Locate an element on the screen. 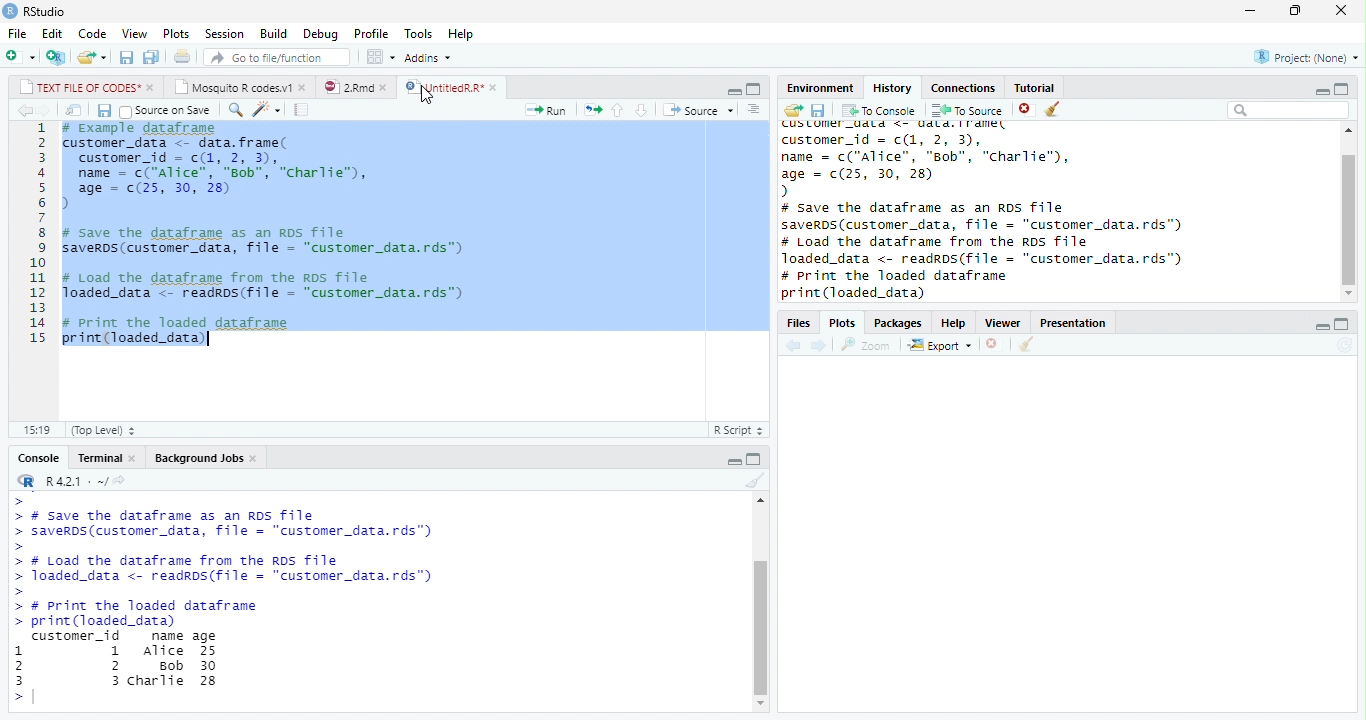  clean is located at coordinates (1027, 344).